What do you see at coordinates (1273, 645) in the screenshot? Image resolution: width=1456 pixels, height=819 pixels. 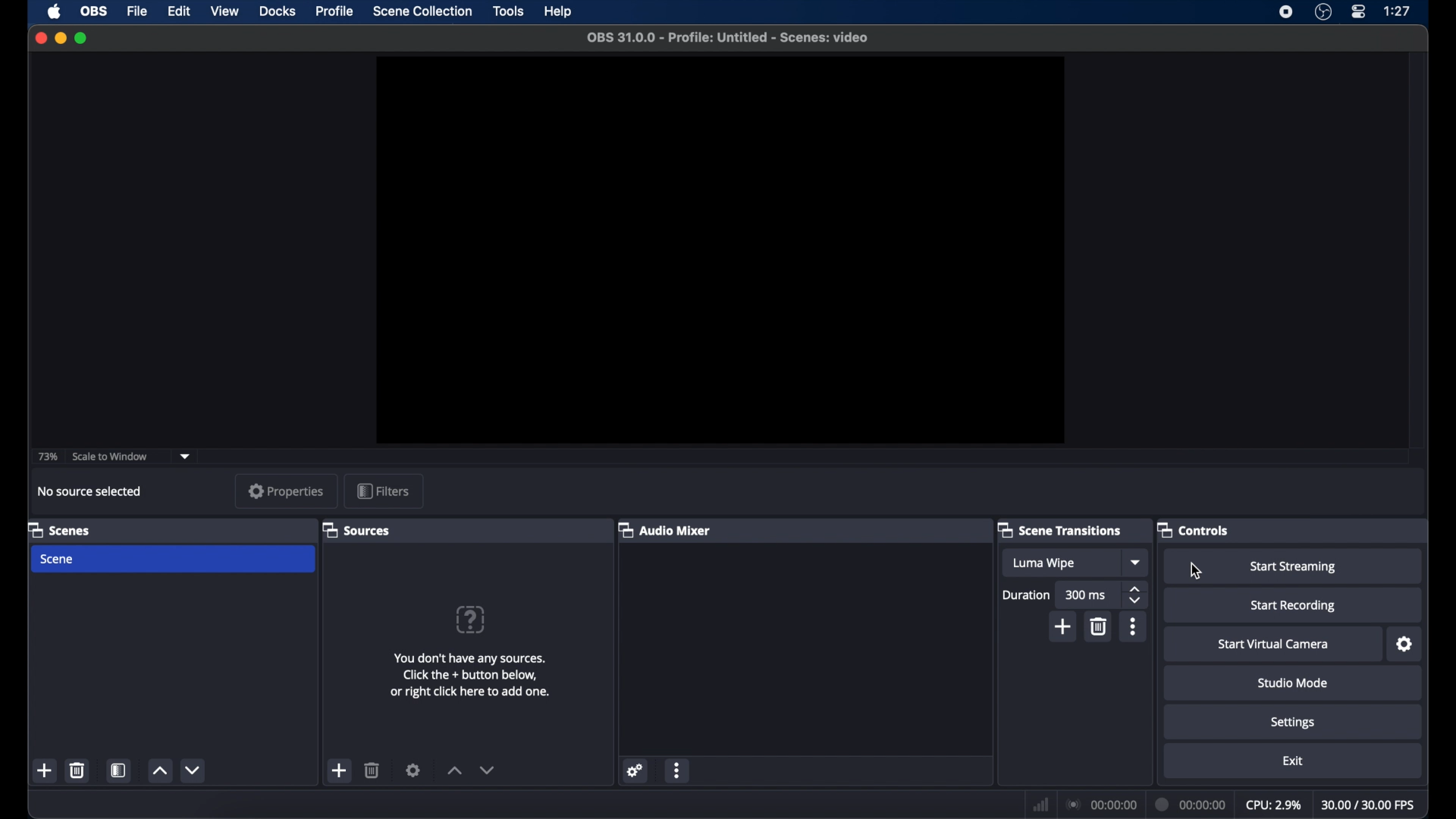 I see `start virtual camera` at bounding box center [1273, 645].